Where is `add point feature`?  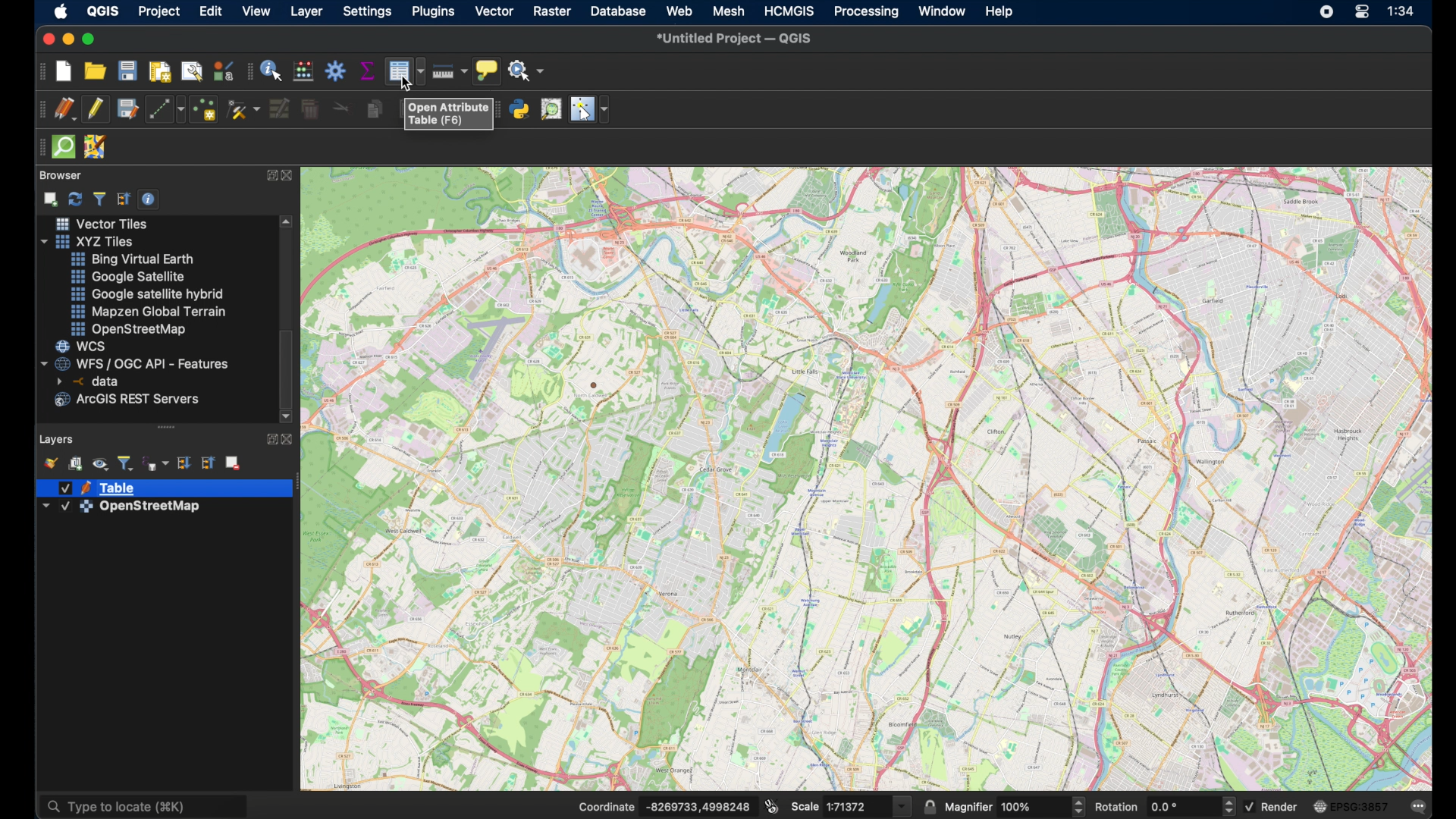
add point feature is located at coordinates (202, 108).